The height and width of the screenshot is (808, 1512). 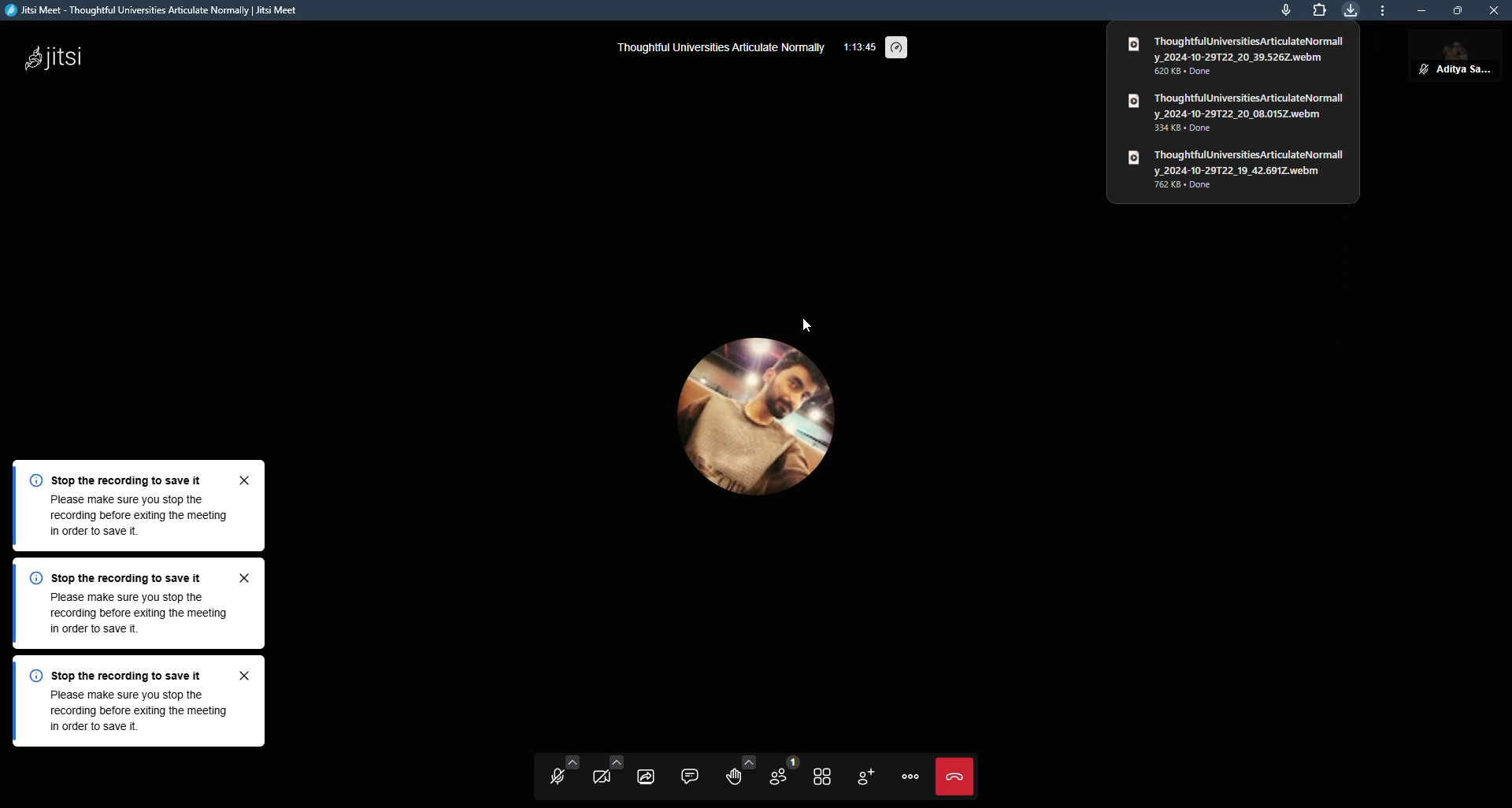 What do you see at coordinates (728, 775) in the screenshot?
I see `raise hand` at bounding box center [728, 775].